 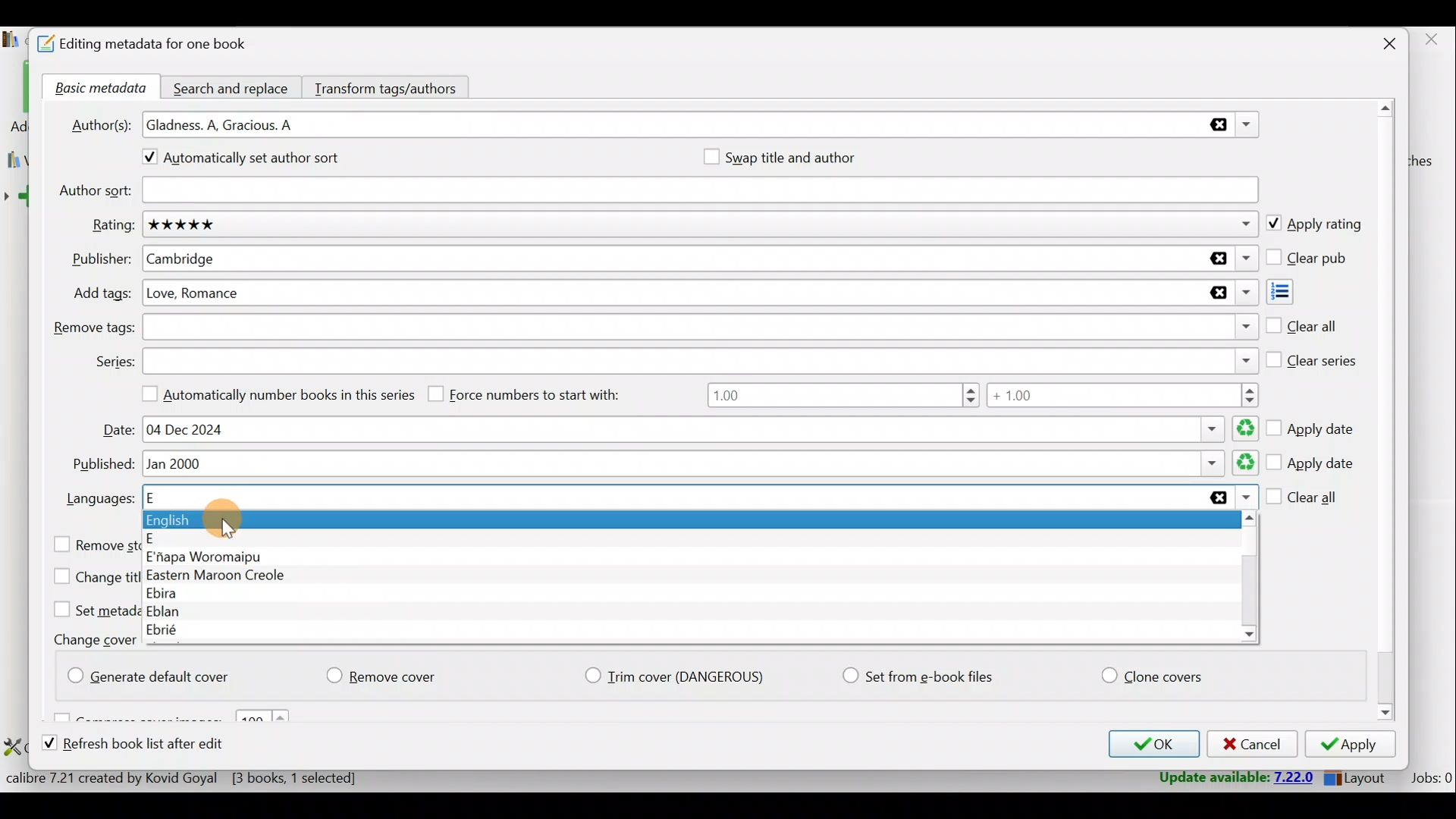 I want to click on Remove tags:, so click(x=93, y=328).